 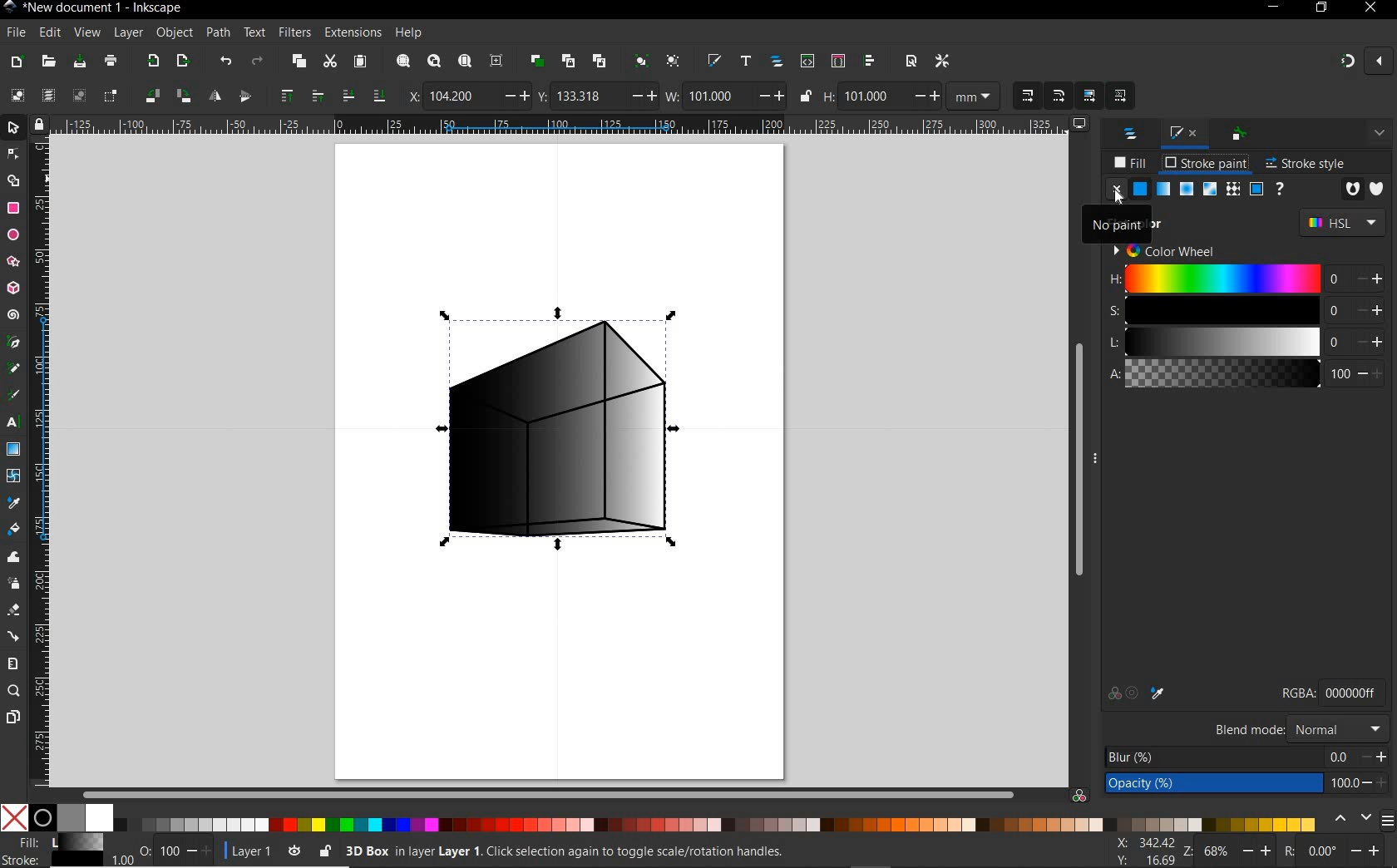 What do you see at coordinates (513, 96) in the screenshot?
I see `increase/decrease` at bounding box center [513, 96].